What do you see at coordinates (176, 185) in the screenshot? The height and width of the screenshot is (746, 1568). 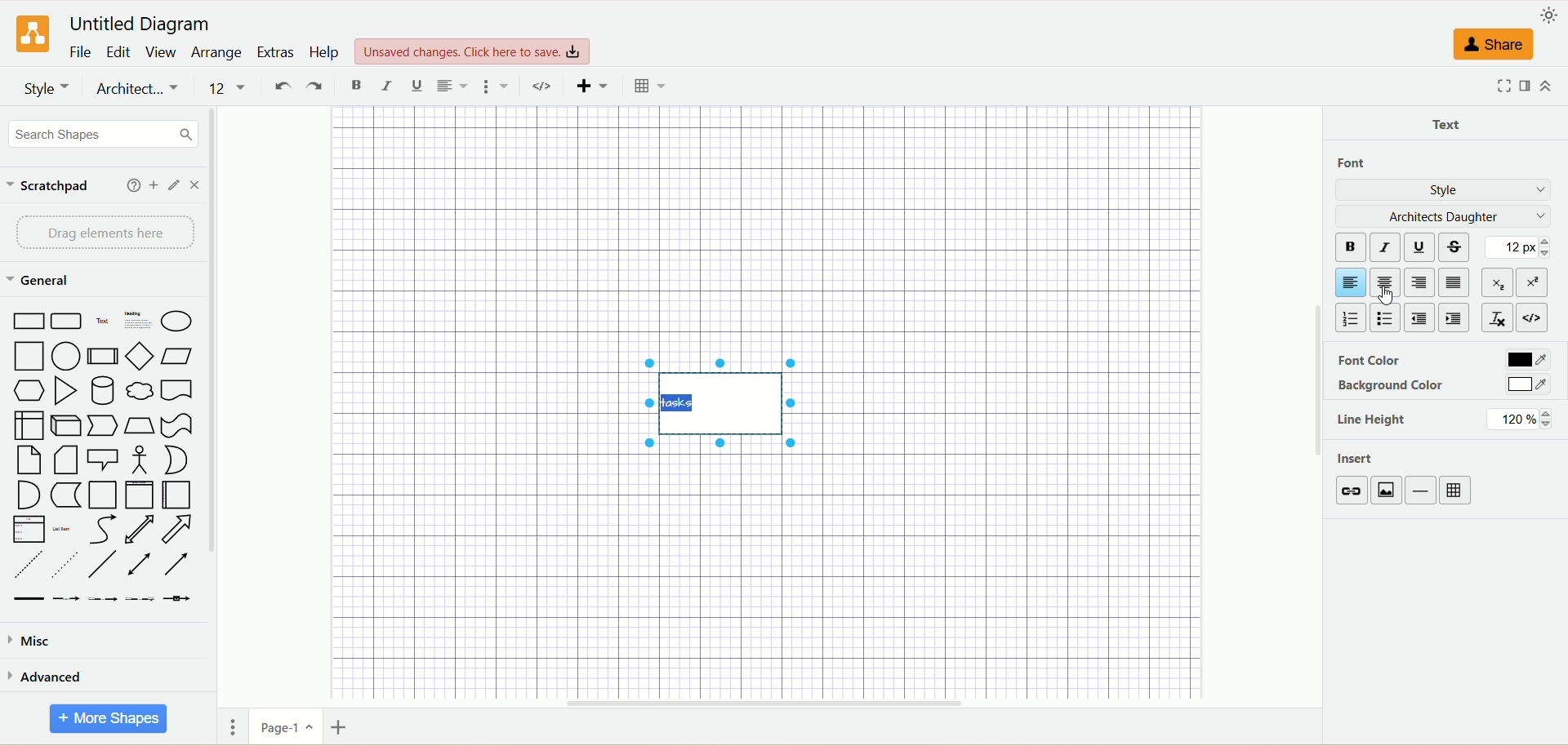 I see `edit` at bounding box center [176, 185].